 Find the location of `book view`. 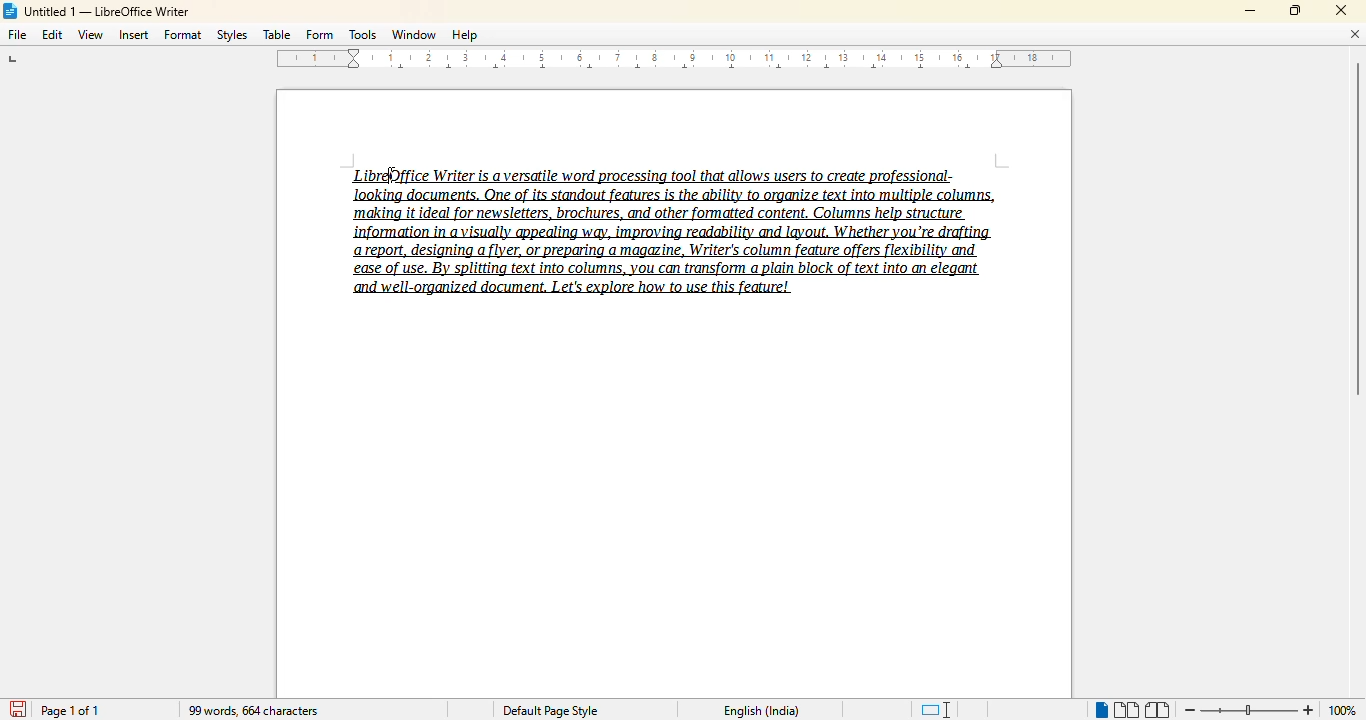

book view is located at coordinates (1157, 710).